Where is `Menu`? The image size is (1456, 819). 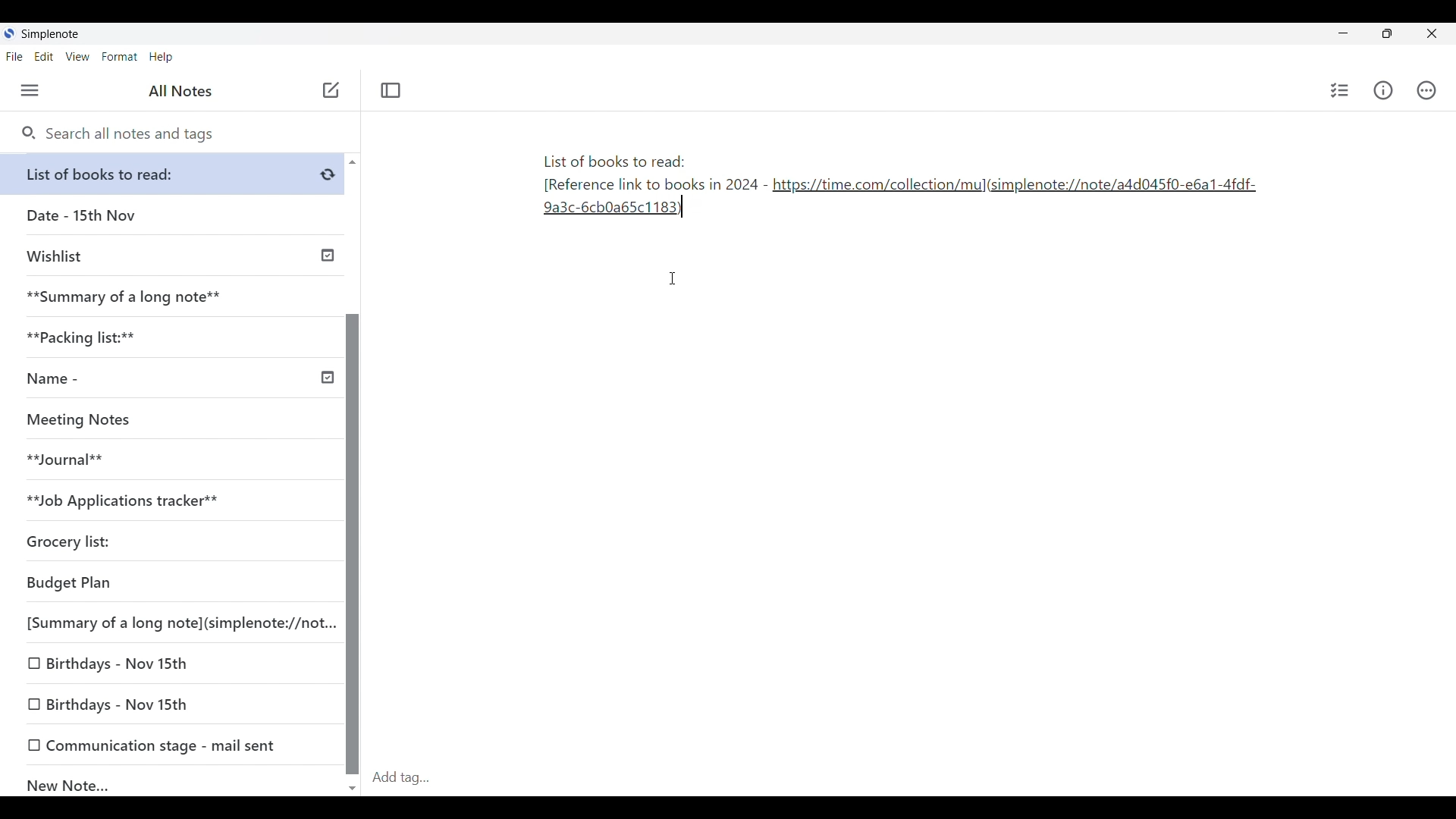
Menu is located at coordinates (30, 91).